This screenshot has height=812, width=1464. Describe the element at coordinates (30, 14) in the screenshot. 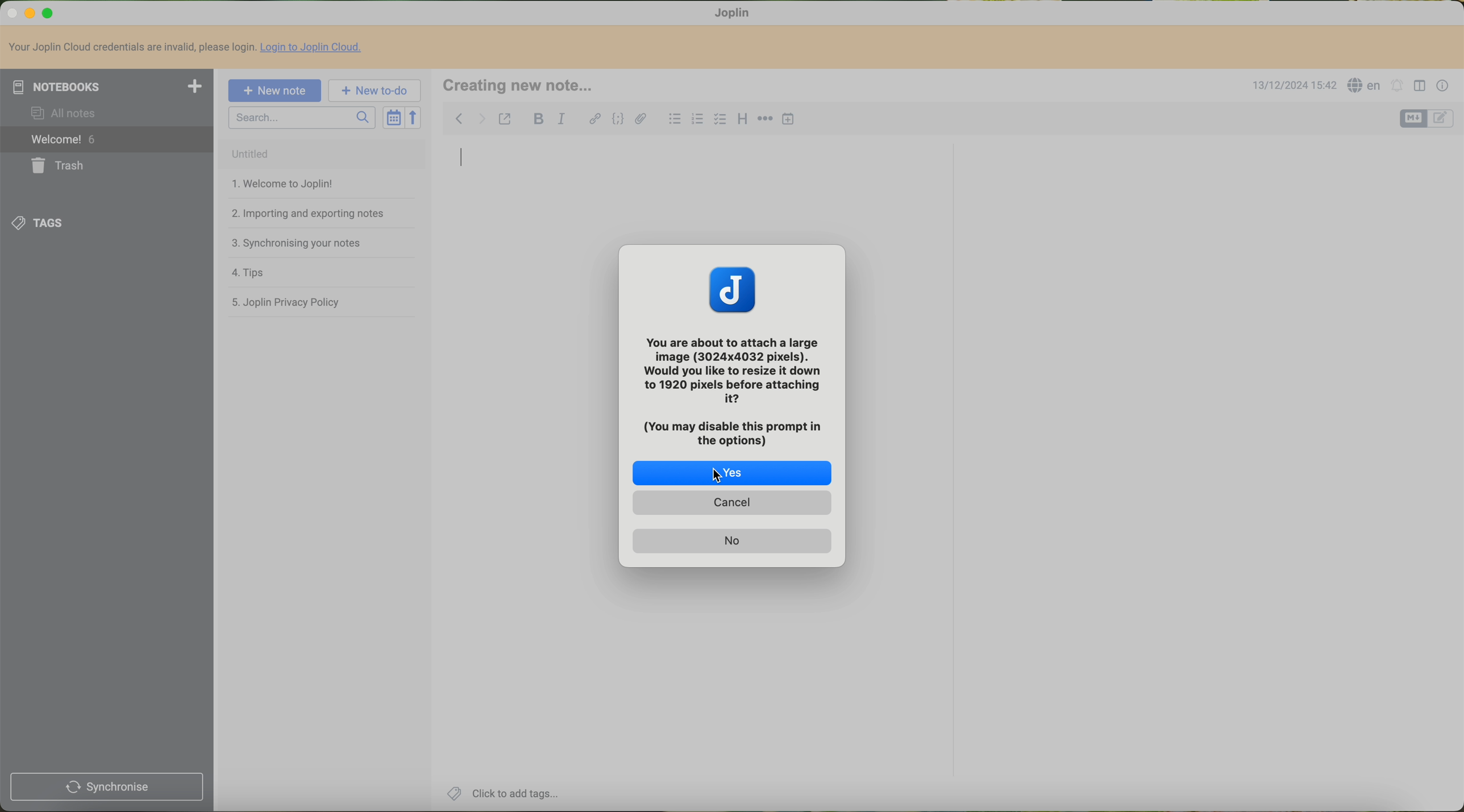

I see `minimize Calibre` at that location.